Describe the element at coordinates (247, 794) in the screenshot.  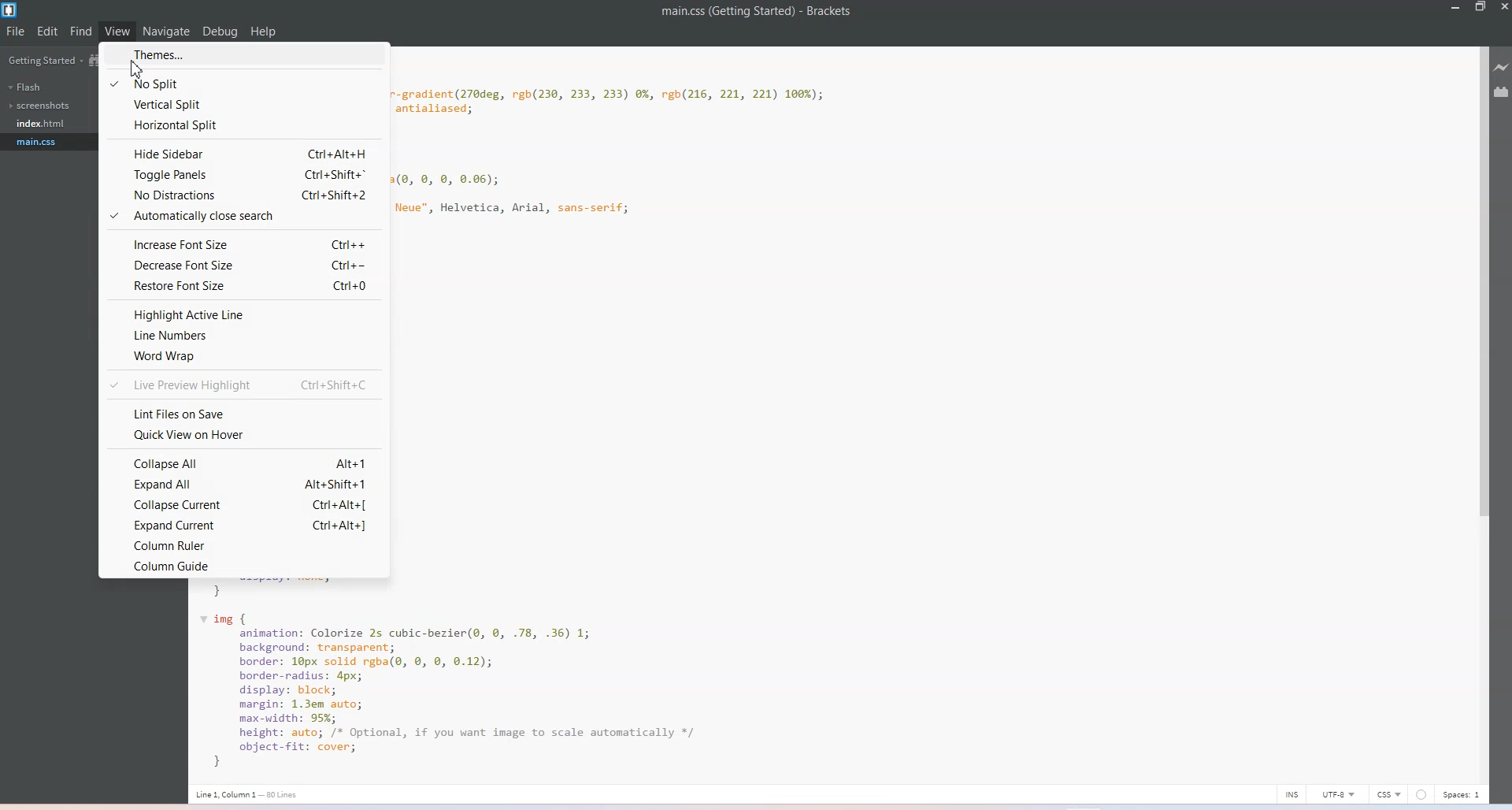
I see `Line 1, column 1 - 80 lines` at that location.